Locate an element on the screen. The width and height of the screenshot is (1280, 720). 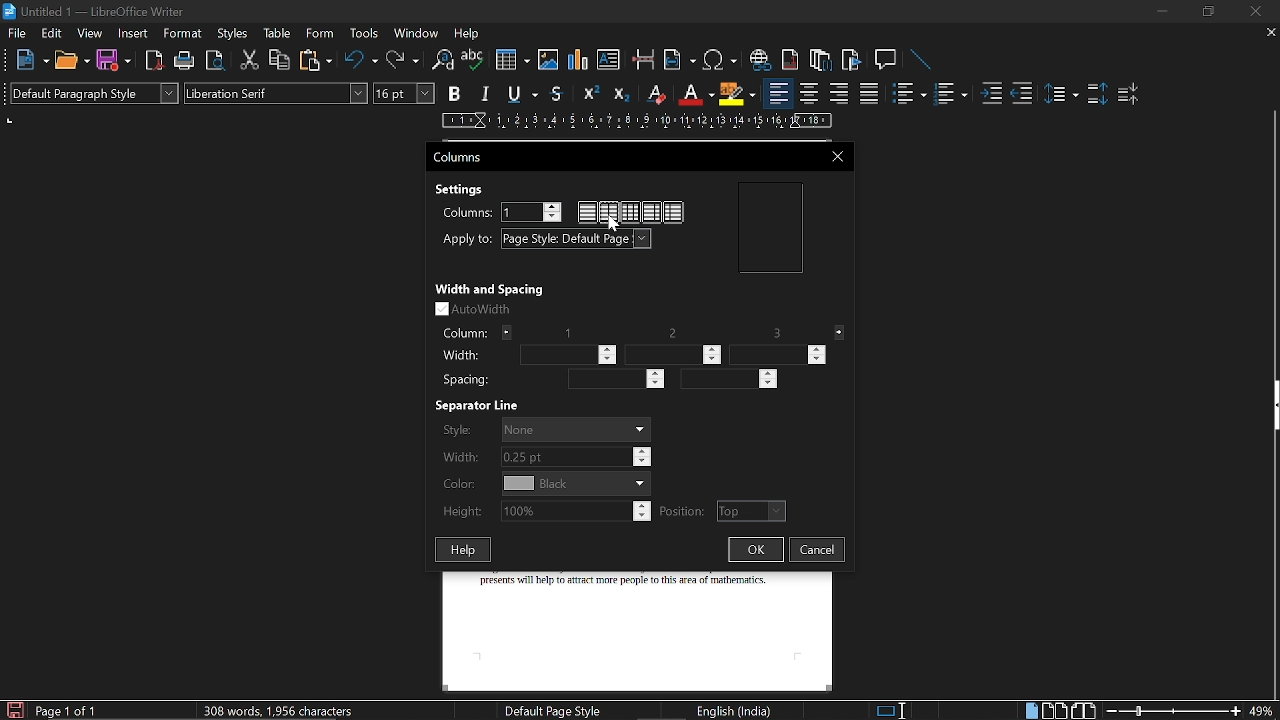
Subscript is located at coordinates (621, 93).